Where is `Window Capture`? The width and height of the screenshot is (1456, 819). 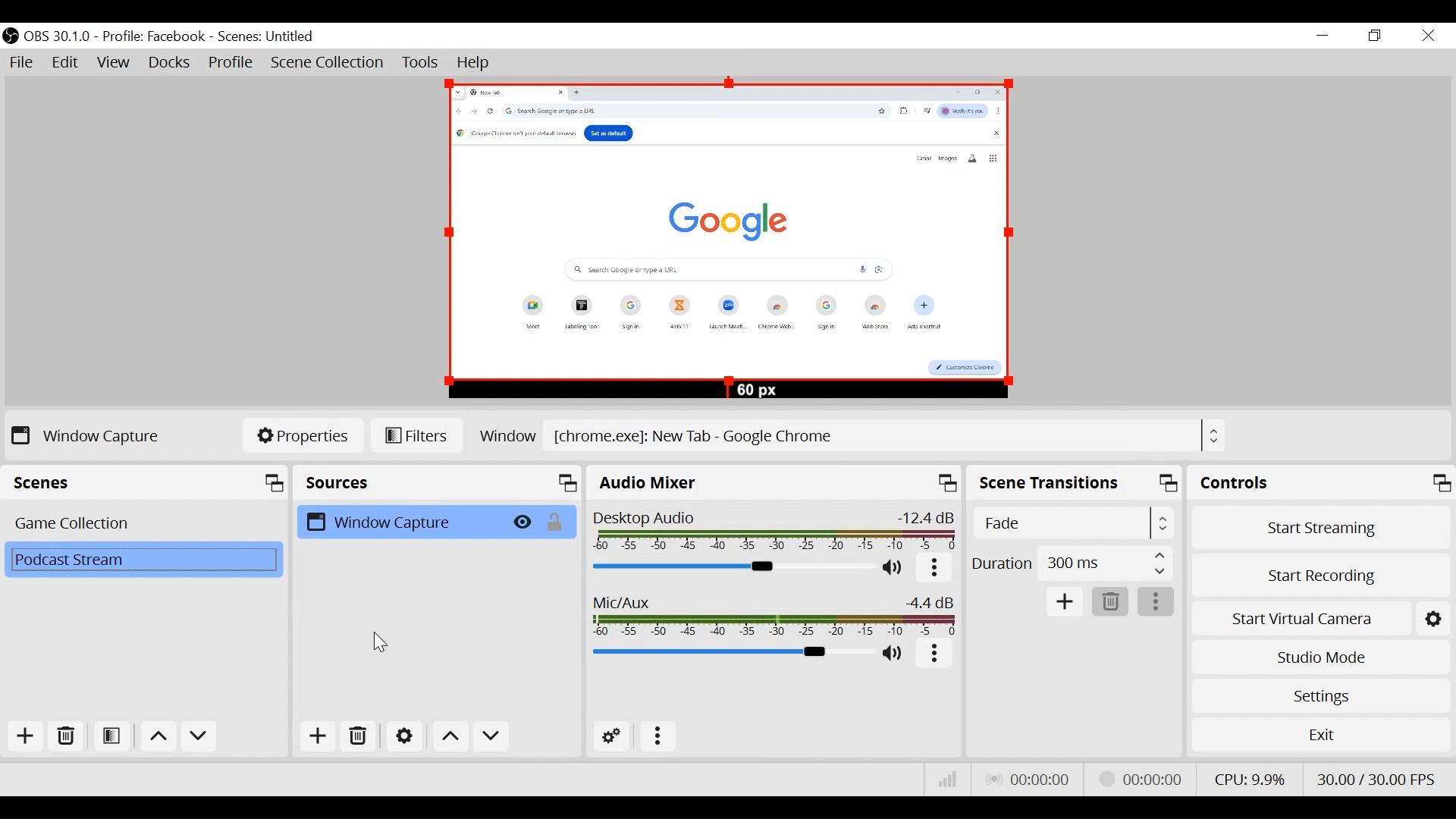
Window Capture is located at coordinates (402, 522).